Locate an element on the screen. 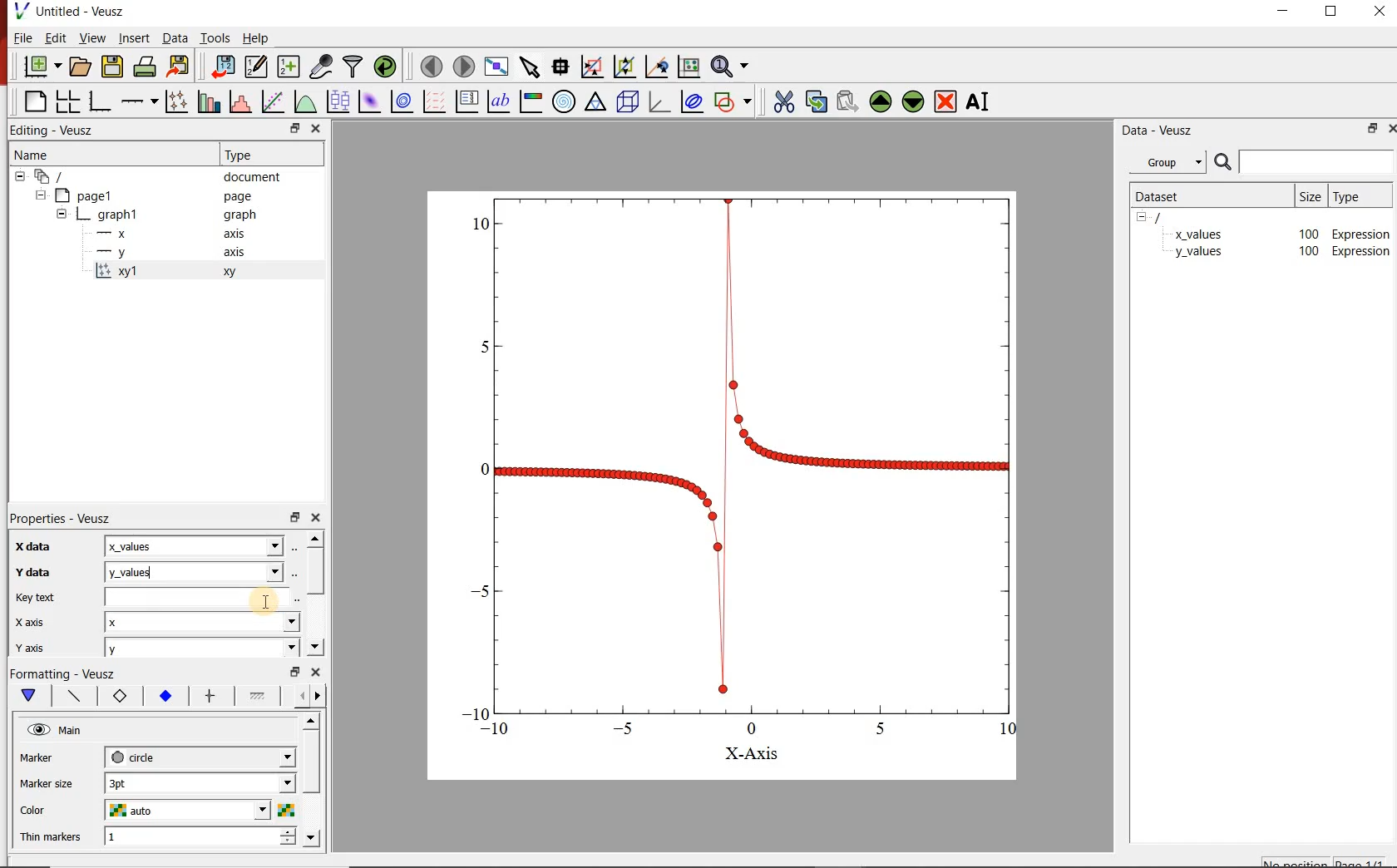 This screenshot has width=1397, height=868. circle is located at coordinates (199, 757).